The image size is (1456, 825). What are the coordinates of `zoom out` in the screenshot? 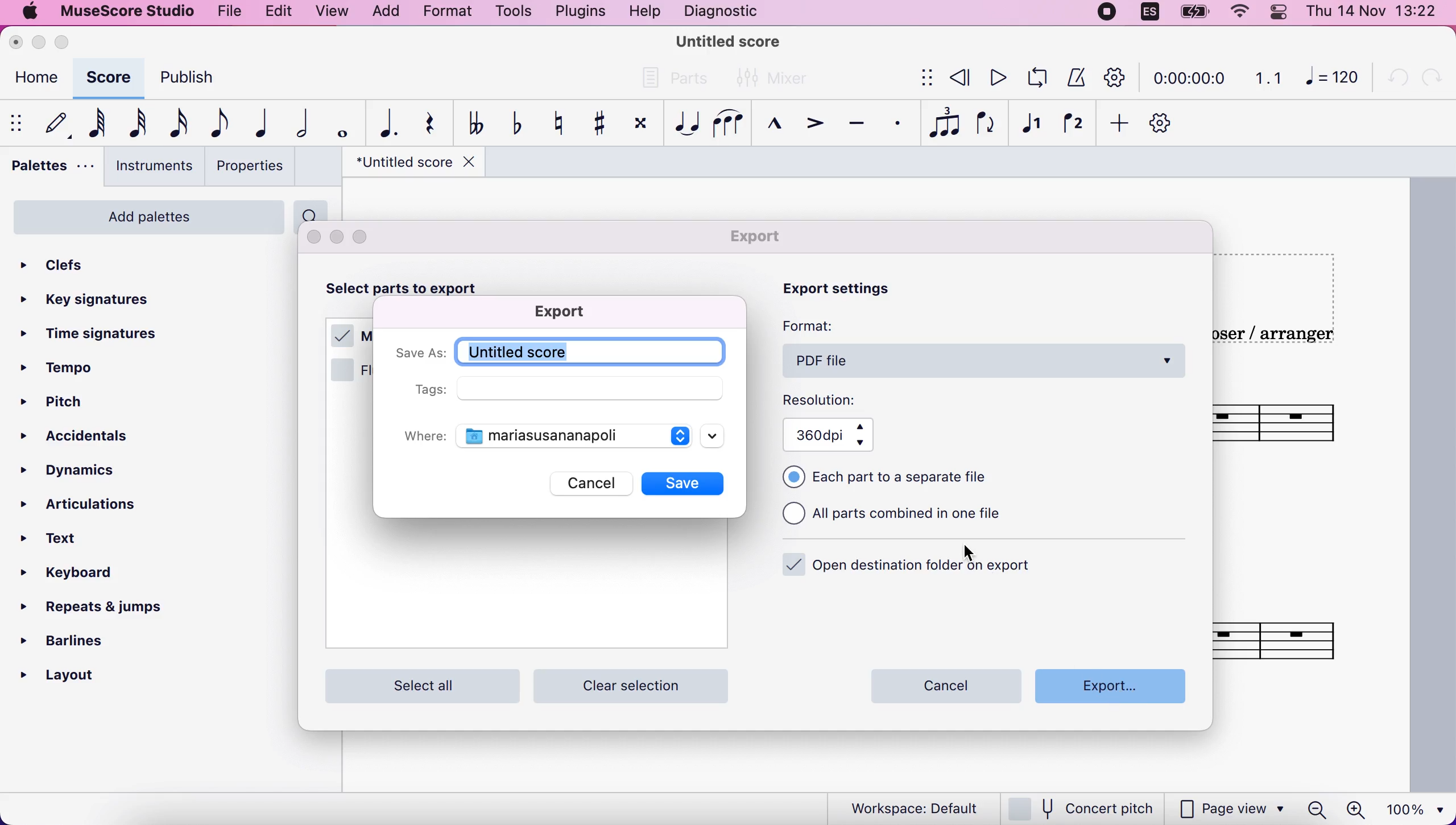 It's located at (1313, 809).